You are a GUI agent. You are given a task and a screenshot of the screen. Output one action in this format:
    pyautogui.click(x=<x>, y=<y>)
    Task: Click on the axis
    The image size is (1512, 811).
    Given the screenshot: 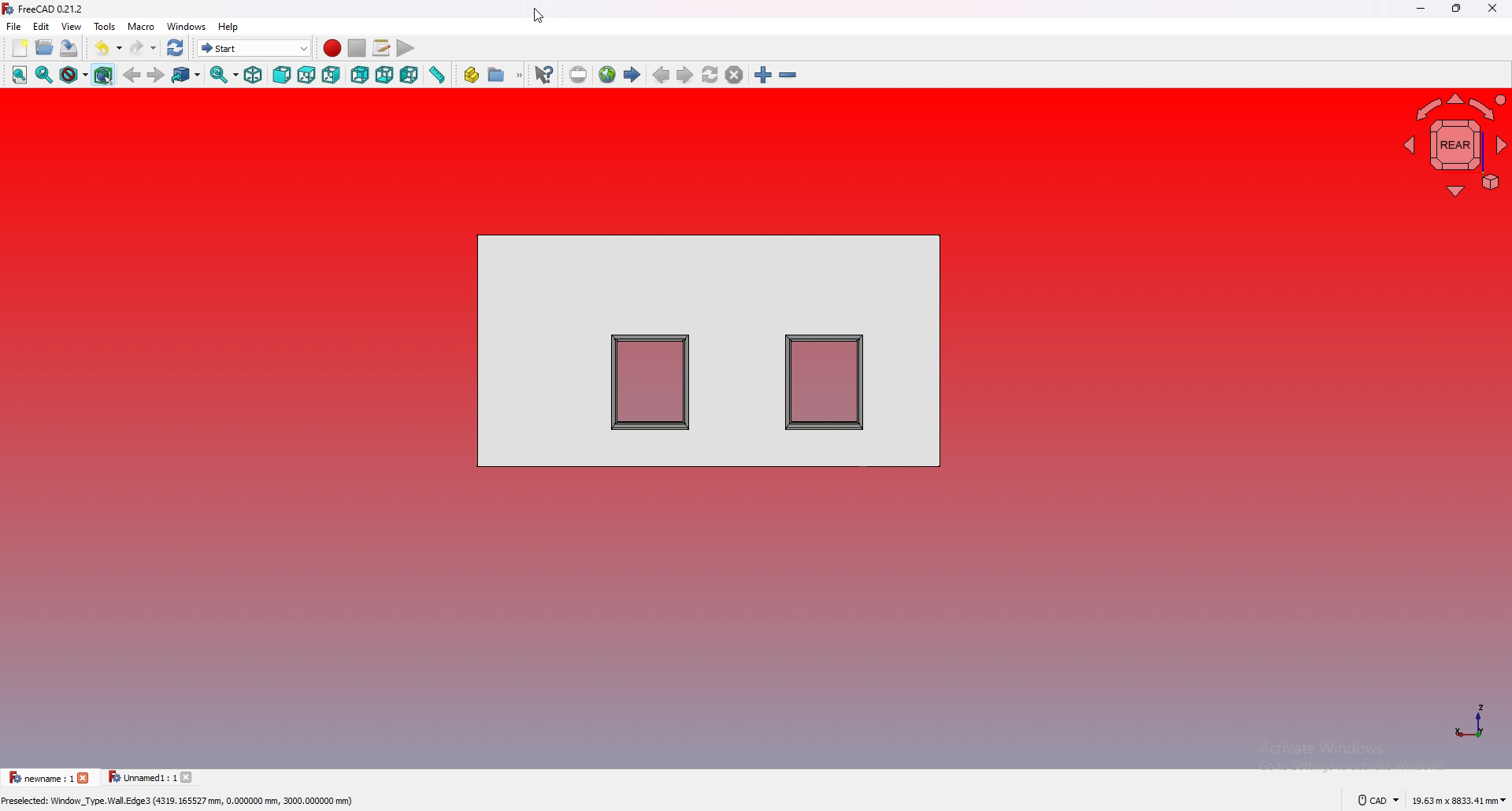 What is the action you would take?
    pyautogui.click(x=1473, y=720)
    